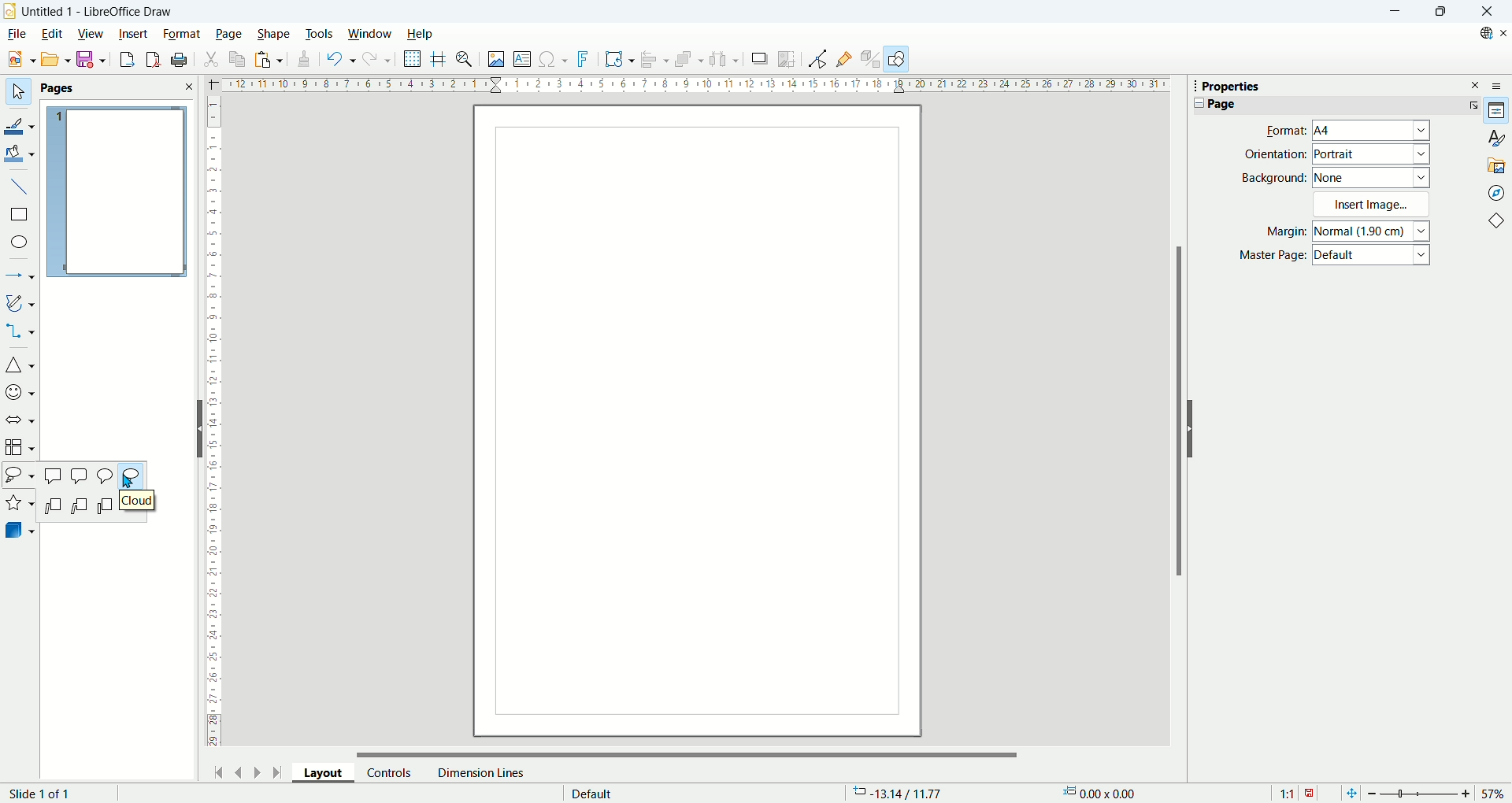  I want to click on coordinates, so click(900, 794).